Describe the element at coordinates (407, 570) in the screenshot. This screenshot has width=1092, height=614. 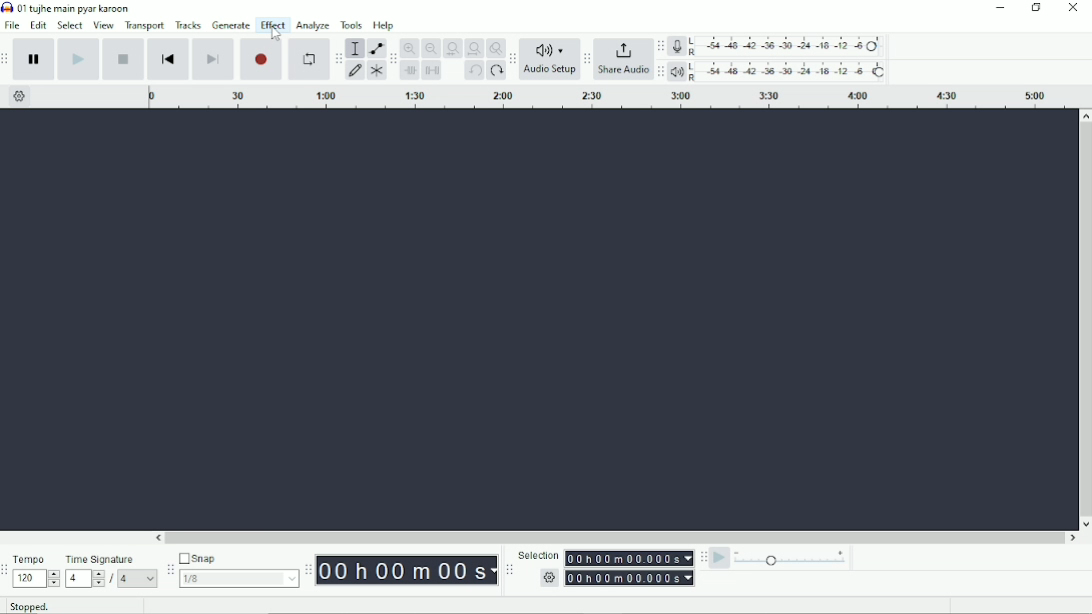
I see `Time` at that location.